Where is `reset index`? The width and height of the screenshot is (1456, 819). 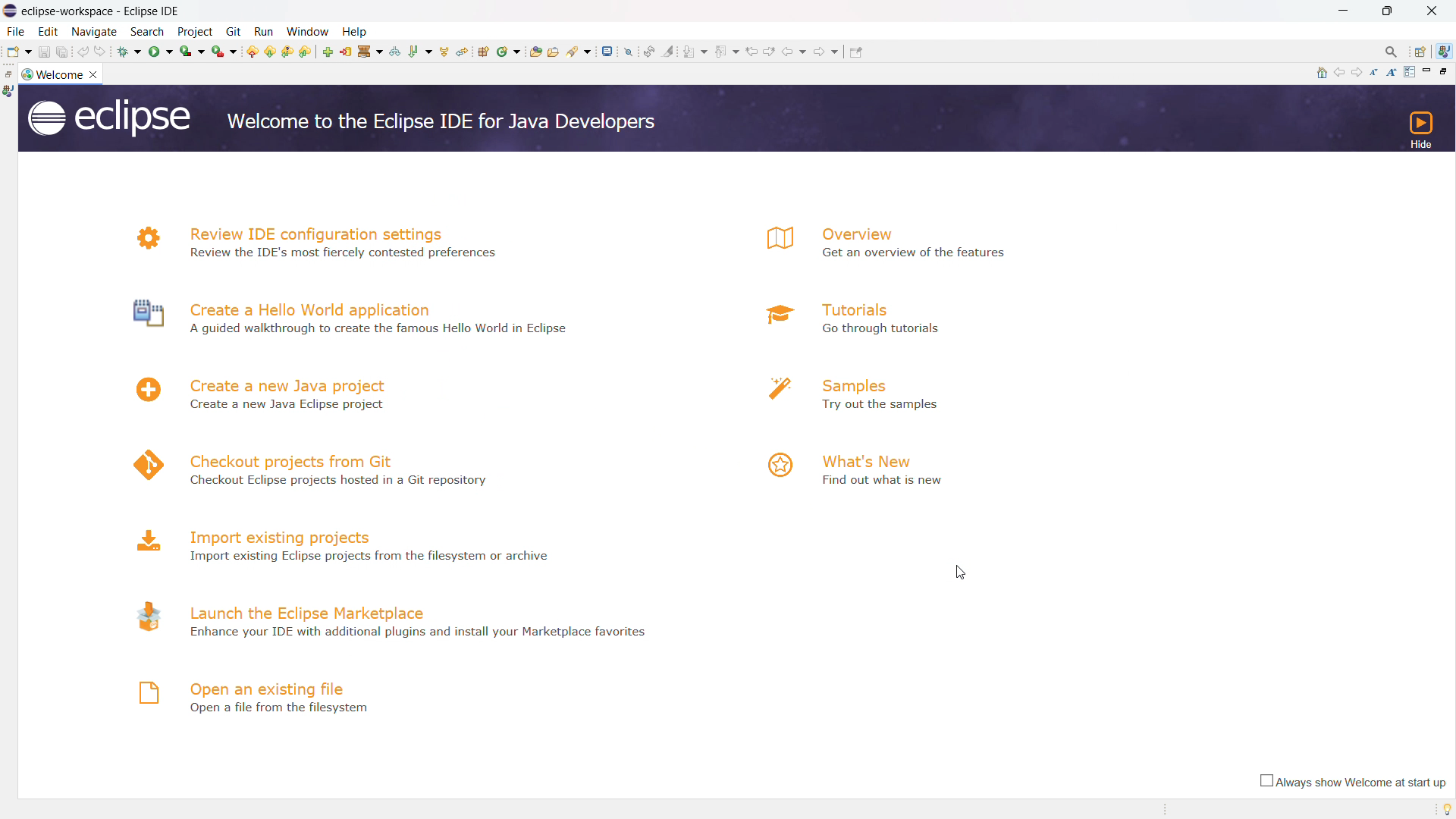
reset index is located at coordinates (461, 50).